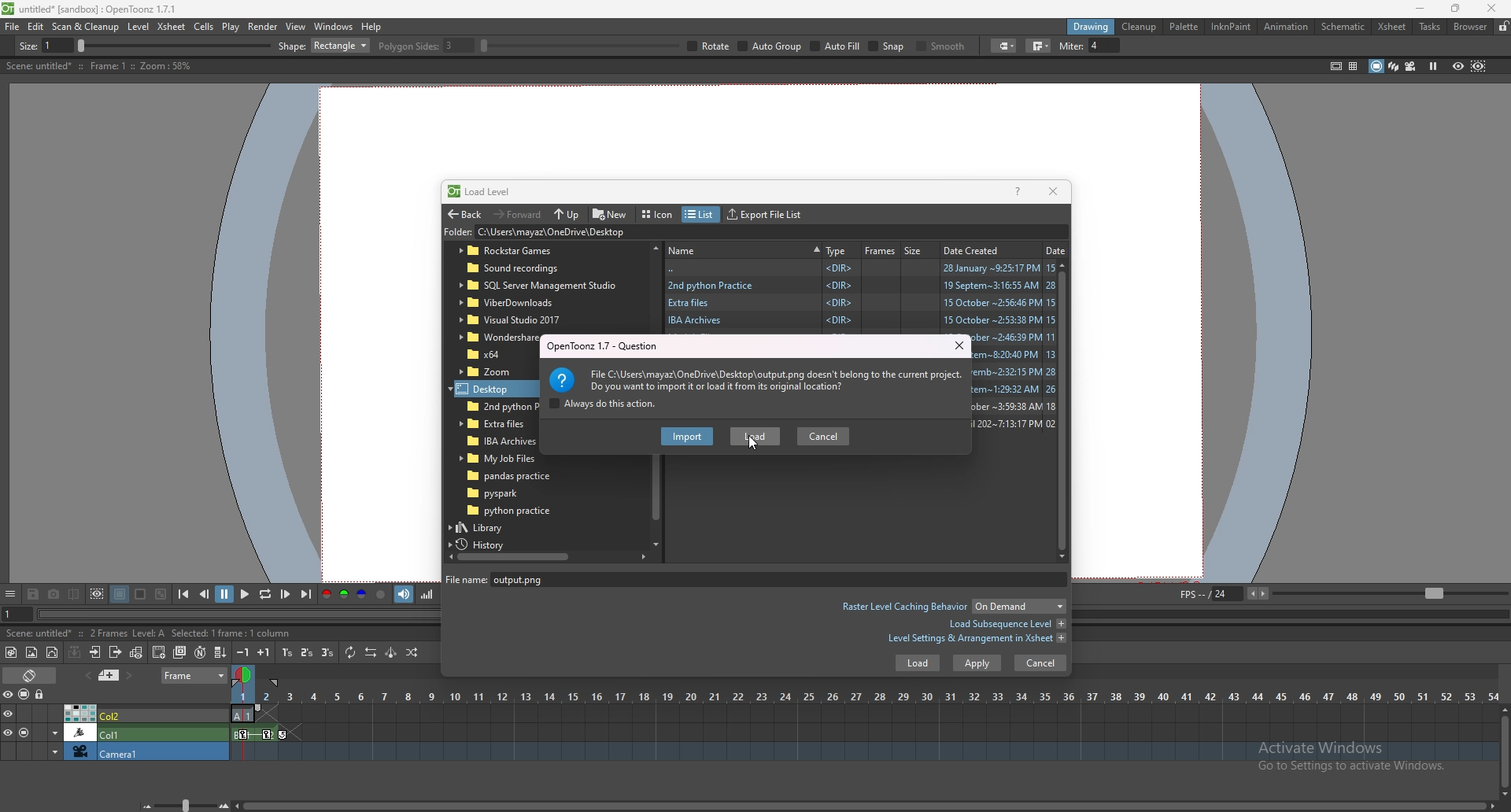 The height and width of the screenshot is (812, 1511). What do you see at coordinates (53, 653) in the screenshot?
I see `new vector level` at bounding box center [53, 653].